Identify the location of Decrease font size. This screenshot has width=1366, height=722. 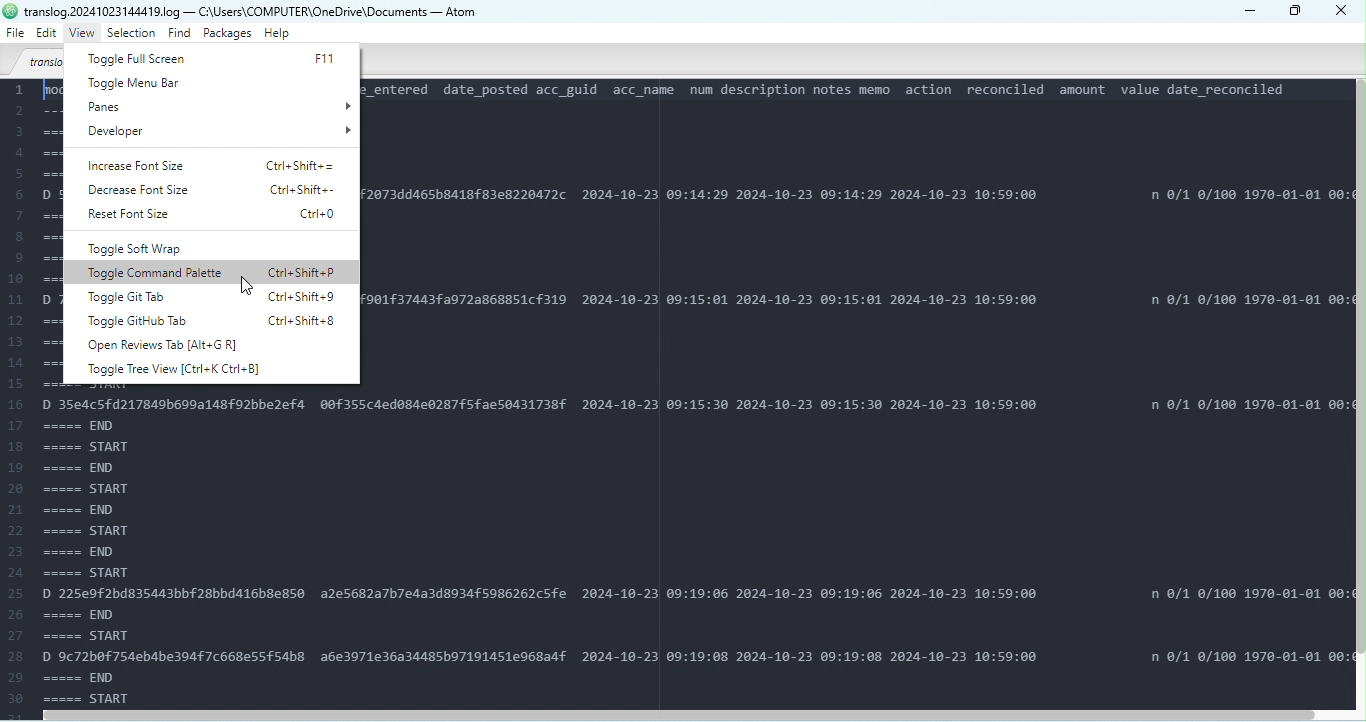
(217, 188).